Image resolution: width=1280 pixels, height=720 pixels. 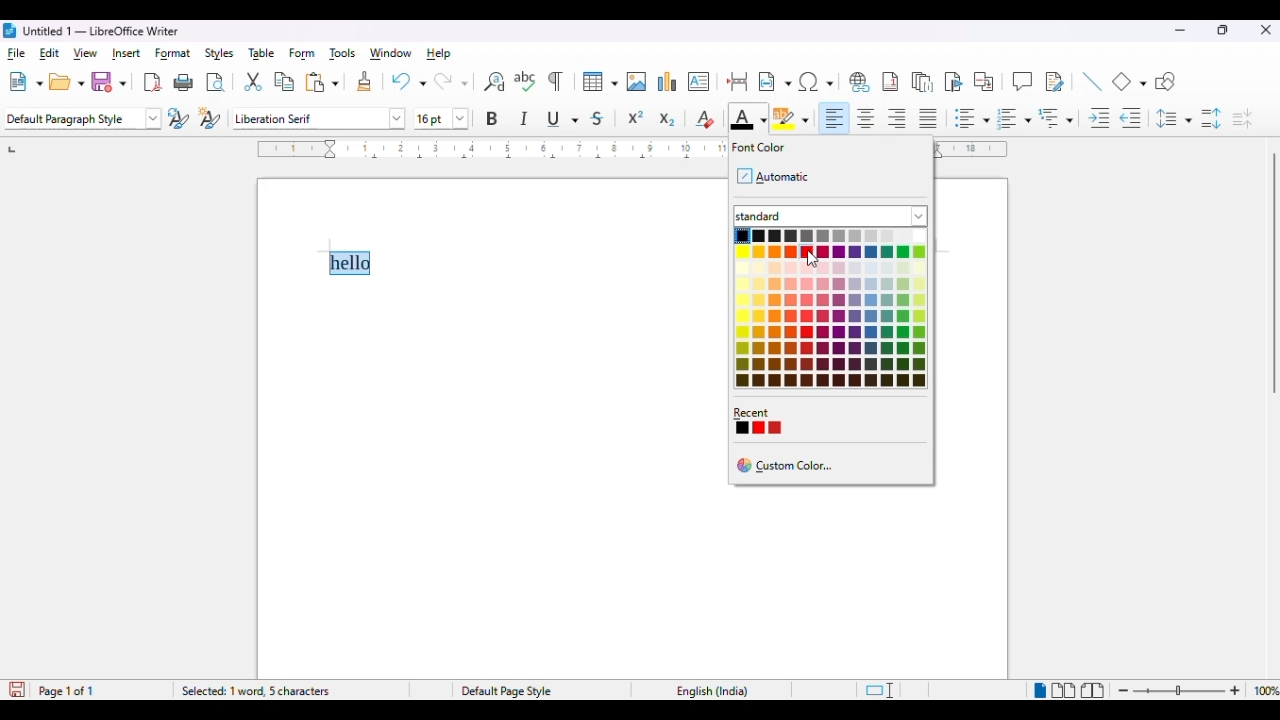 What do you see at coordinates (15, 53) in the screenshot?
I see `file` at bounding box center [15, 53].